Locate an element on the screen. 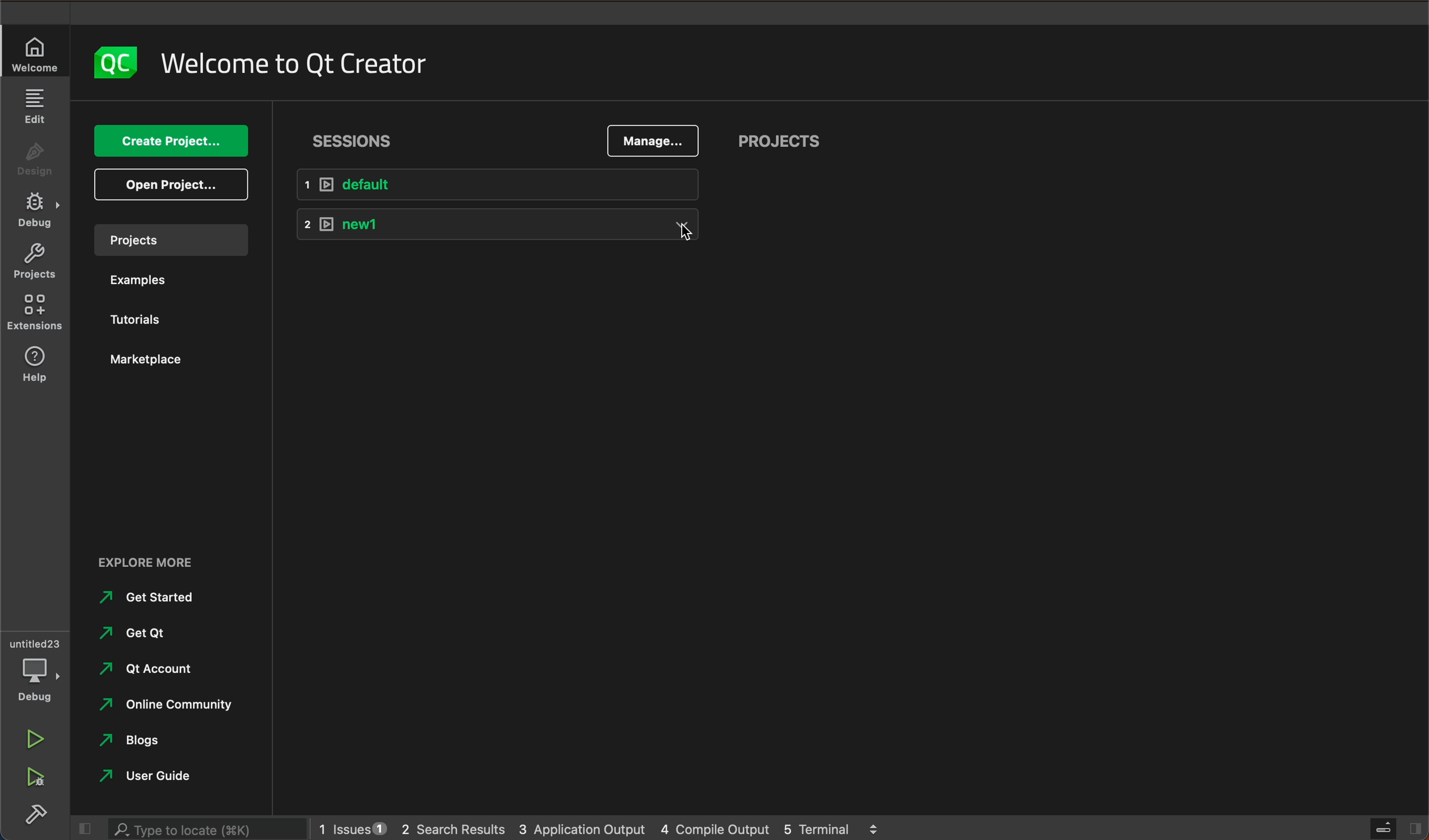 The width and height of the screenshot is (1429, 840). help is located at coordinates (31, 363).